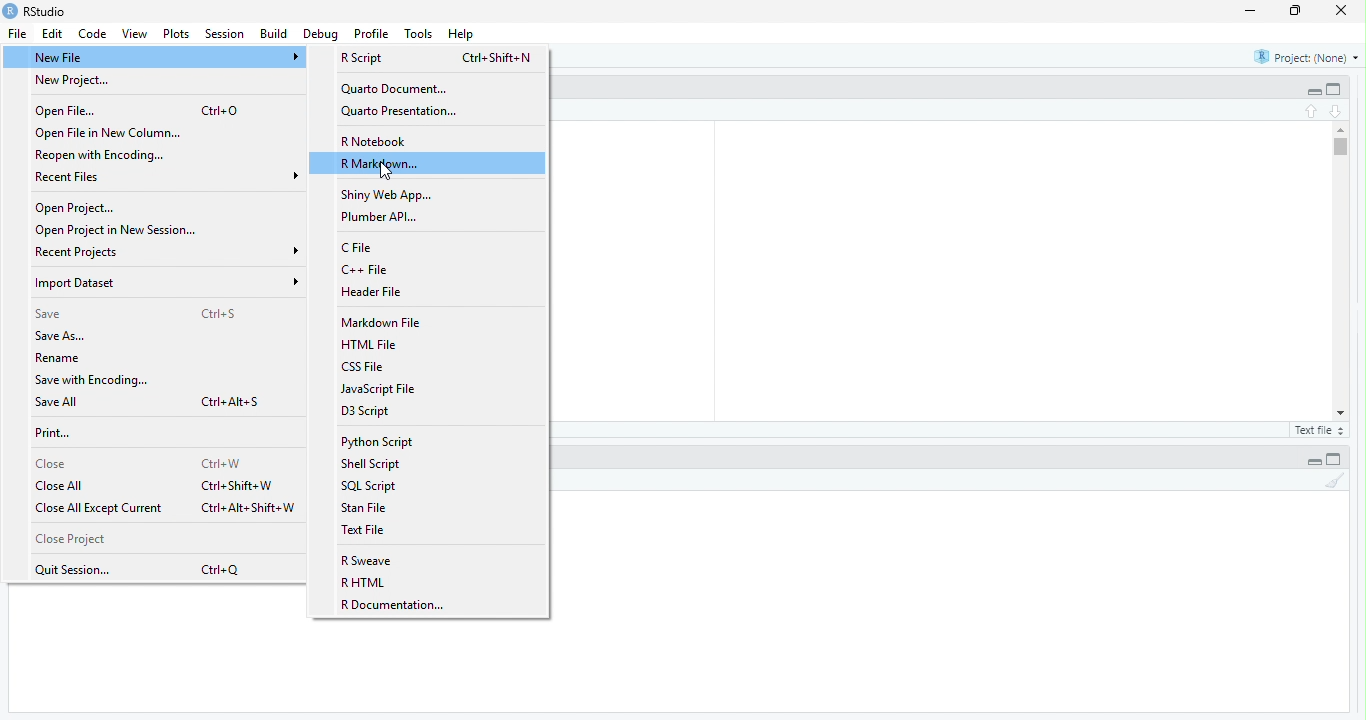  What do you see at coordinates (169, 282) in the screenshot?
I see `Import Dataset` at bounding box center [169, 282].